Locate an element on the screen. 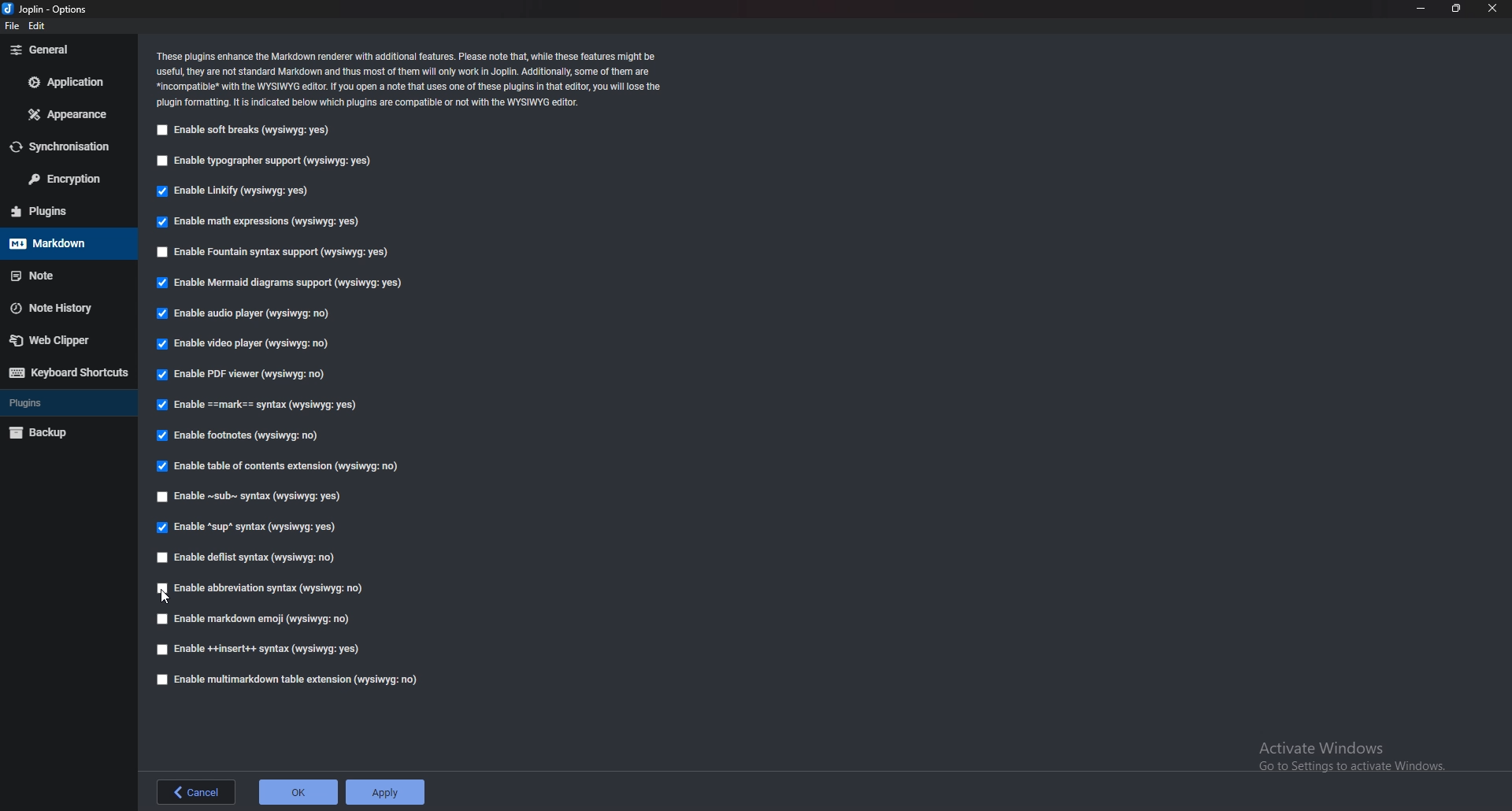 Image resolution: width=1512 pixels, height=811 pixels. cursor is located at coordinates (167, 596).